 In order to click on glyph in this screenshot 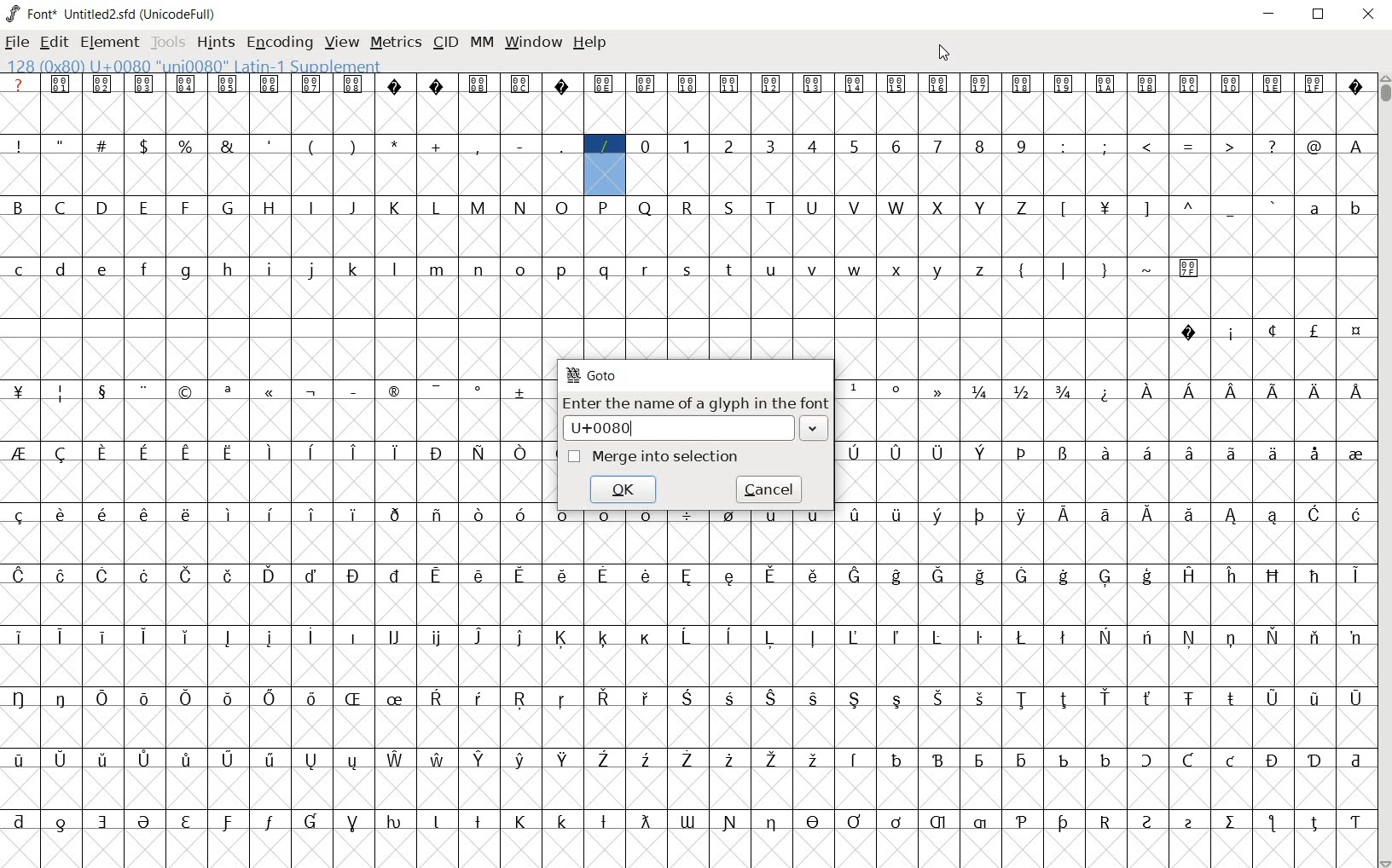, I will do `click(1355, 761)`.